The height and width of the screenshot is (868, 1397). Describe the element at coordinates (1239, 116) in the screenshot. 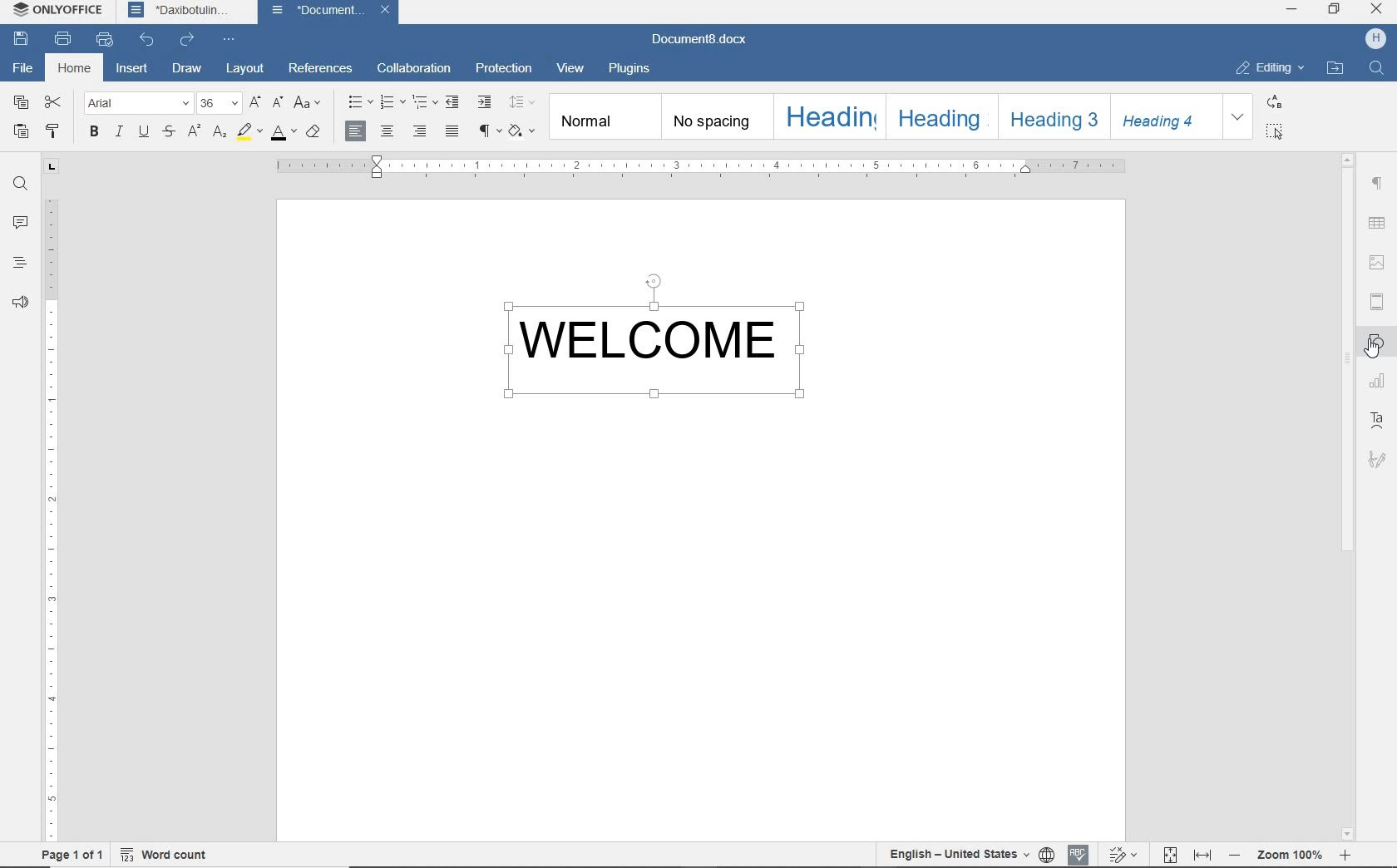

I see `EXPAND` at that location.